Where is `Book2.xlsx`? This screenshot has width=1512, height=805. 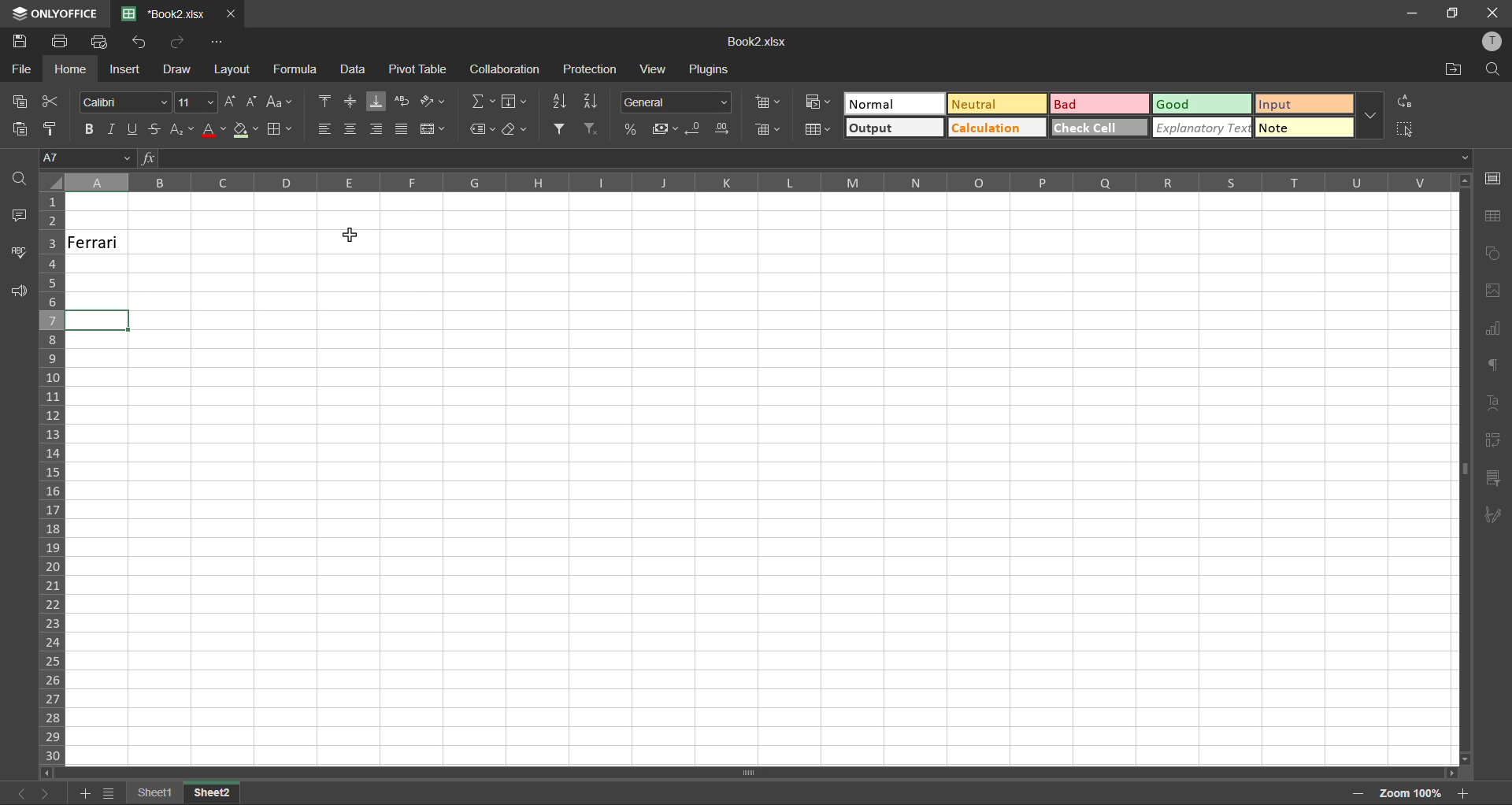
Book2.xlsx is located at coordinates (165, 14).